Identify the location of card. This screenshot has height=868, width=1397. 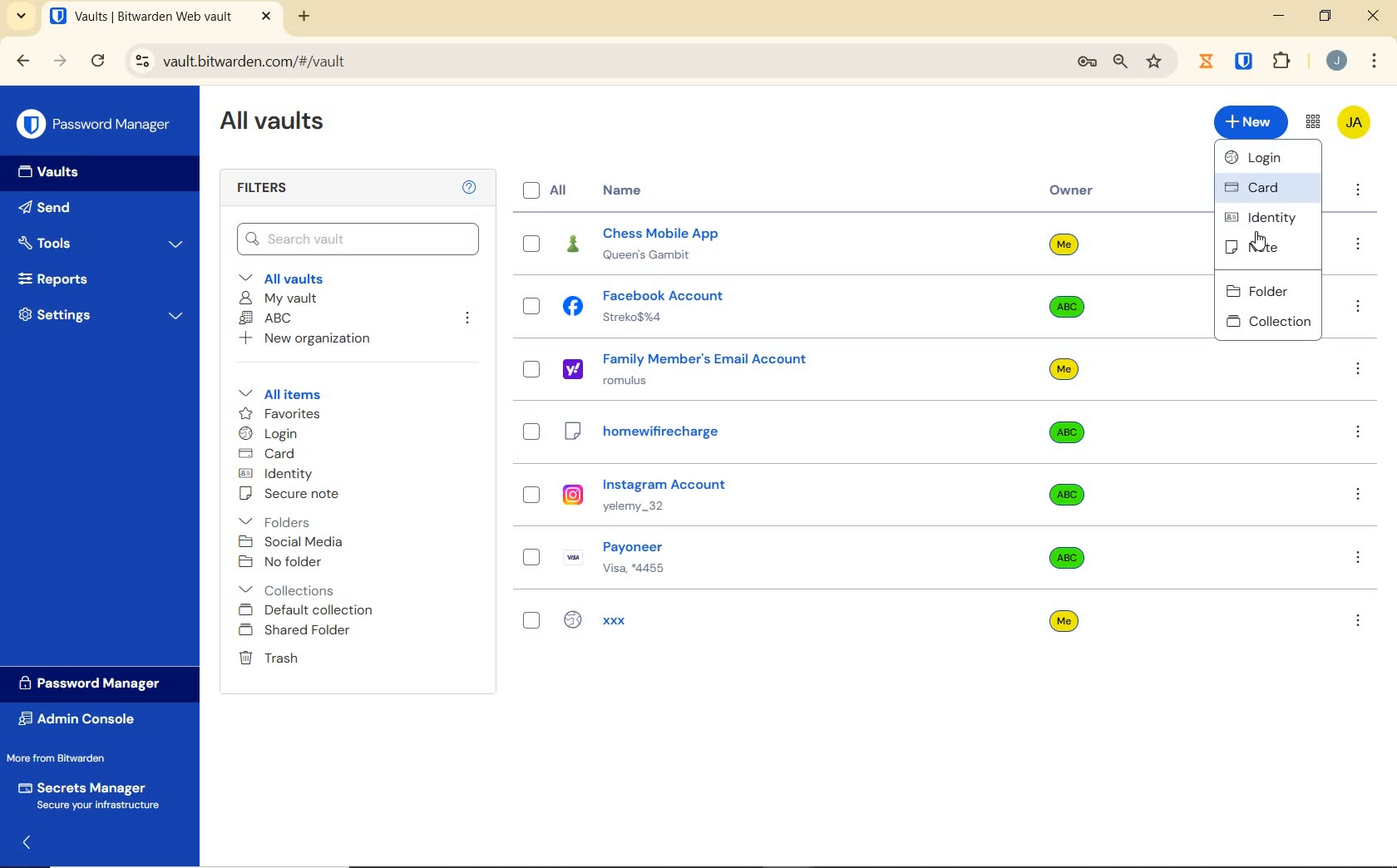
(1265, 189).